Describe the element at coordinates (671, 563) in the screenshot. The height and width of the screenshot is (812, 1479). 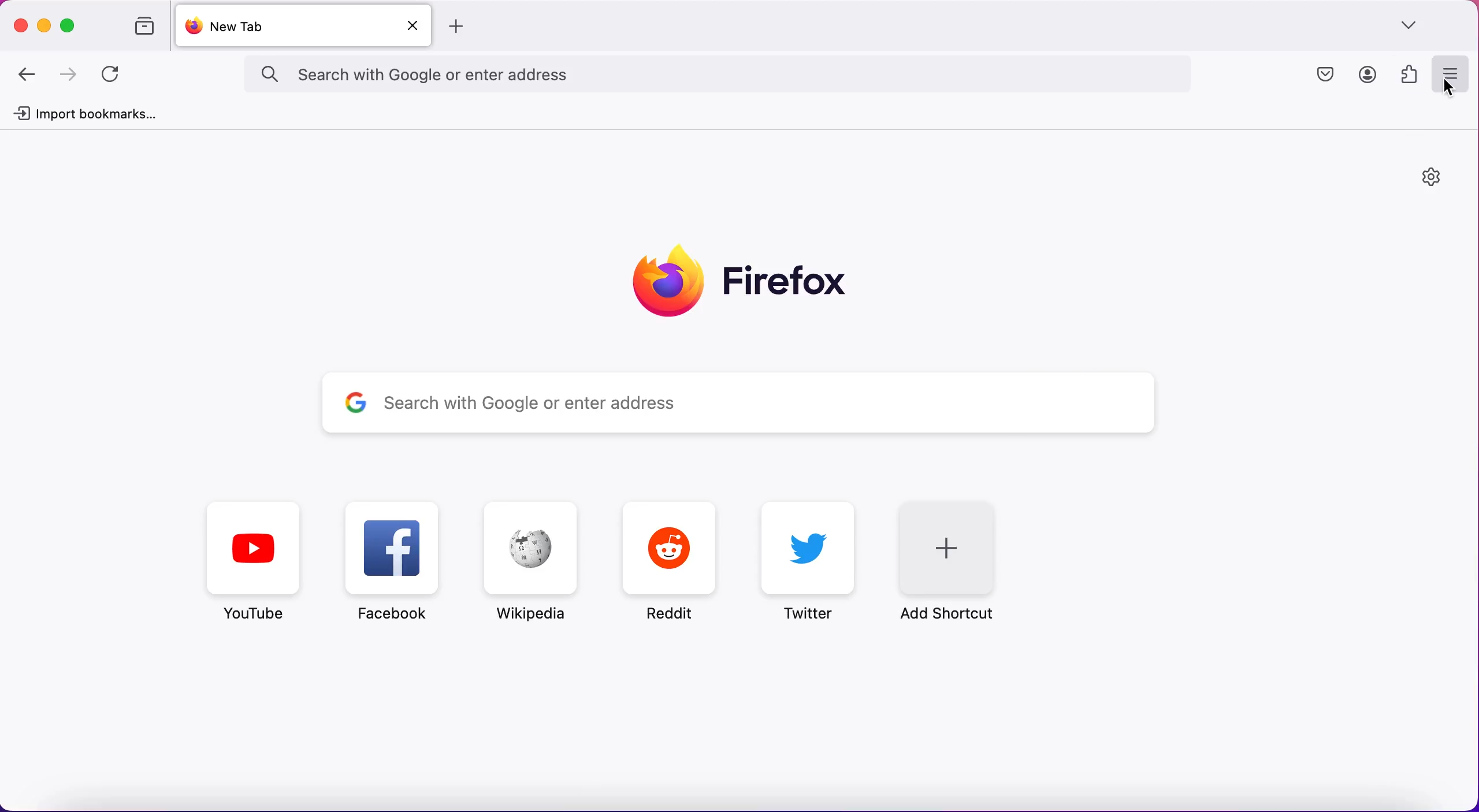
I see `Reddit` at that location.